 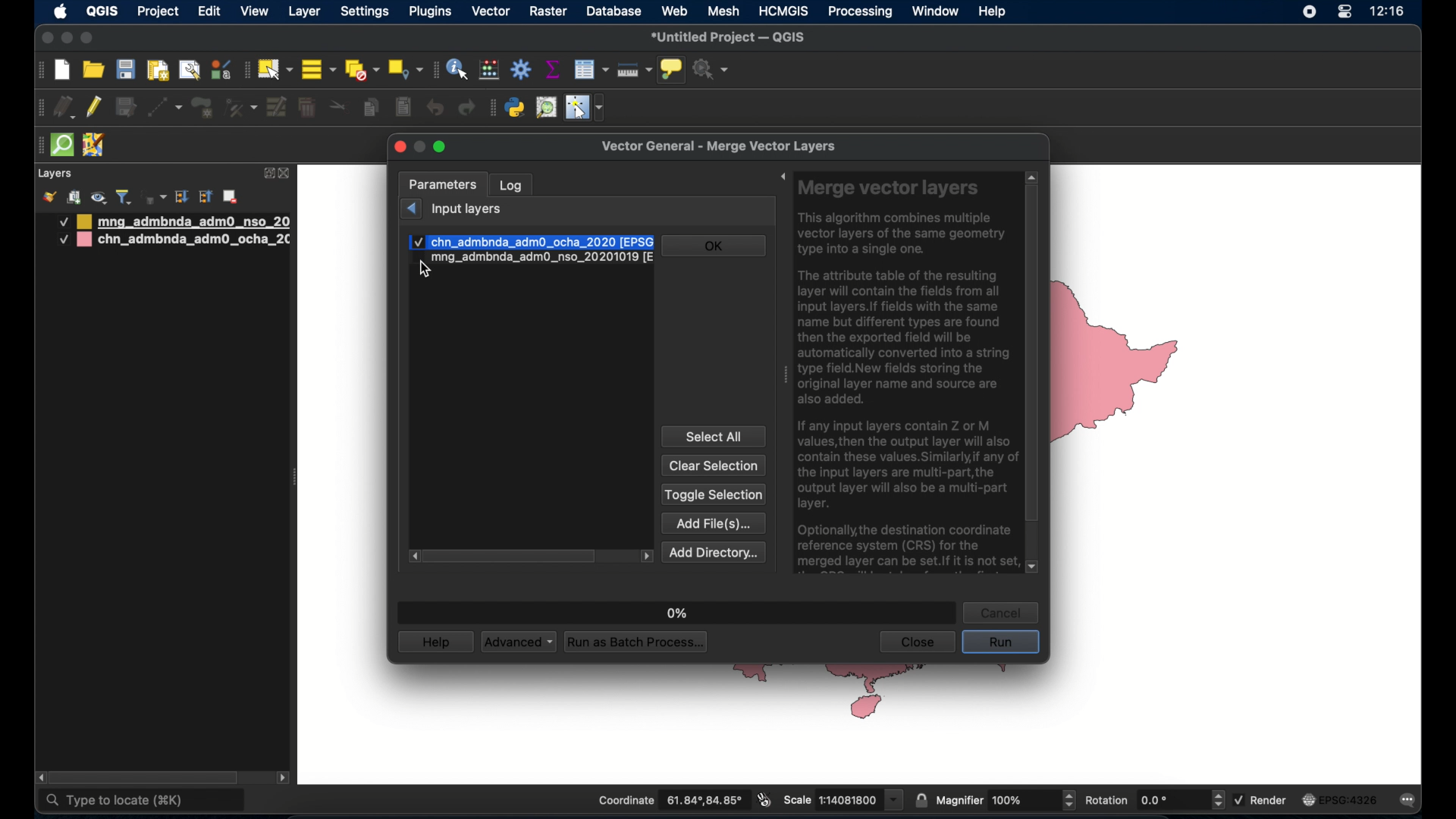 What do you see at coordinates (921, 799) in the screenshot?
I see `lock scale` at bounding box center [921, 799].